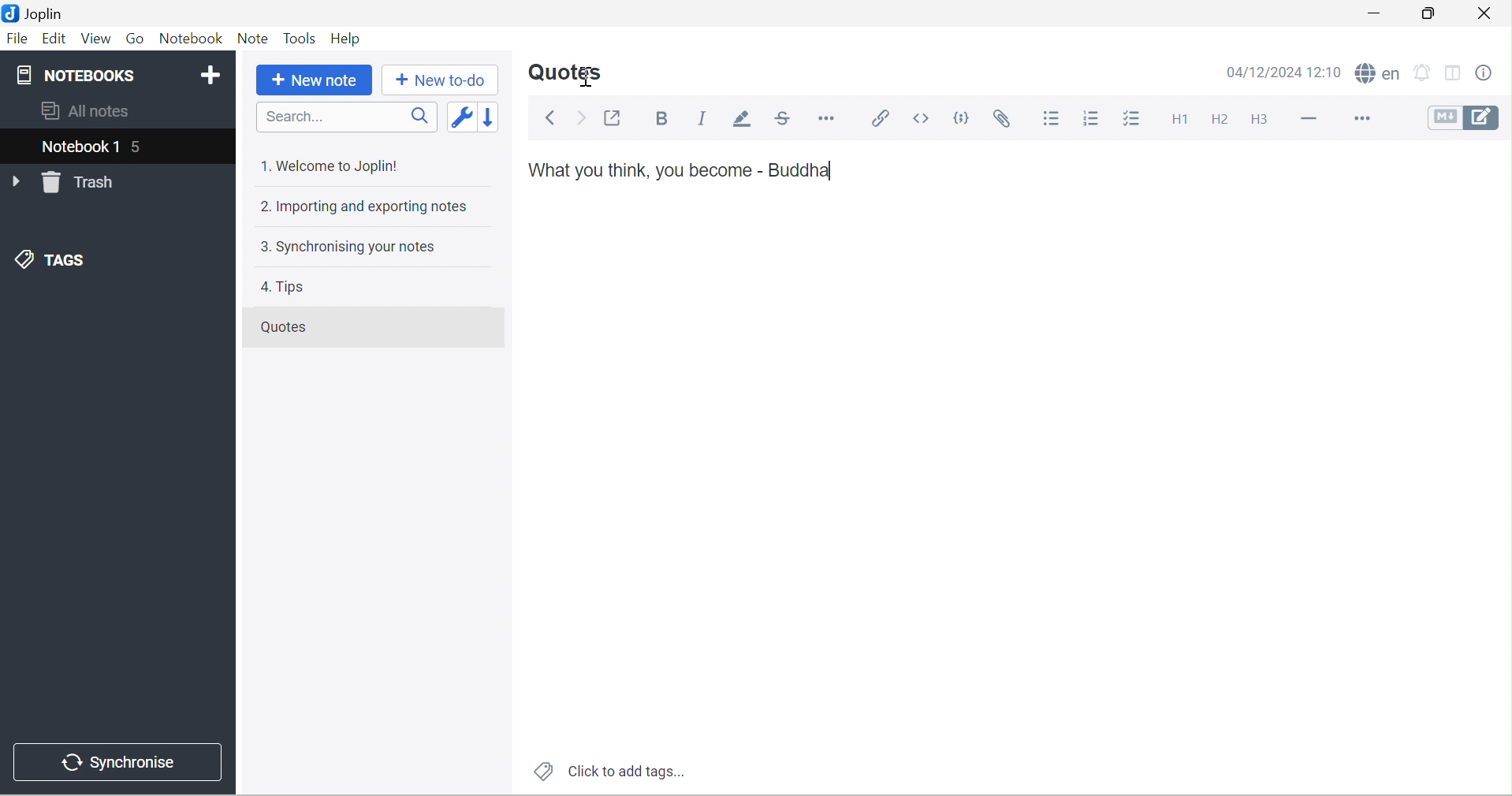 The width and height of the screenshot is (1512, 796). Describe the element at coordinates (357, 247) in the screenshot. I see `3. Synchronising your notes` at that location.